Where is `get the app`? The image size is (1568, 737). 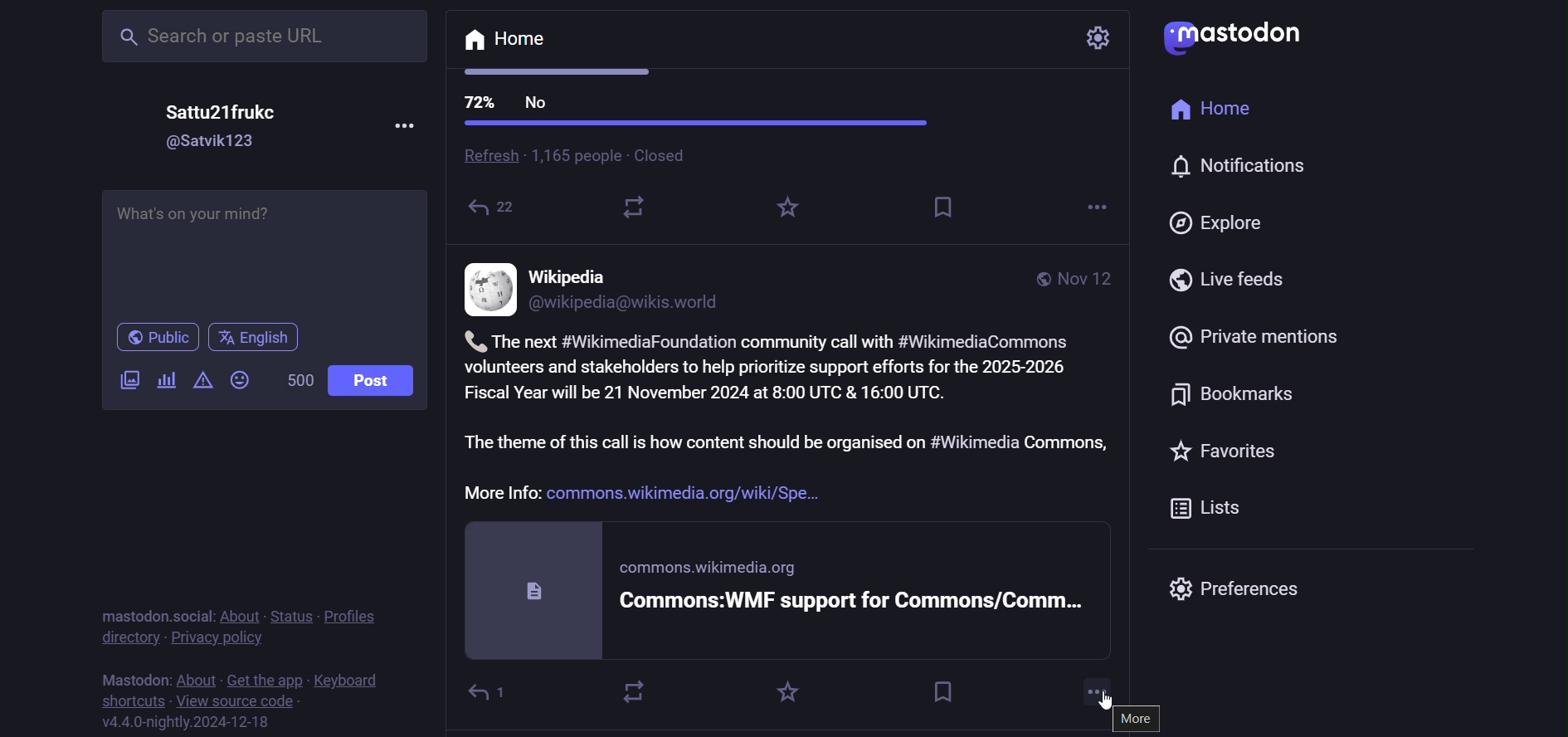 get the app is located at coordinates (270, 680).